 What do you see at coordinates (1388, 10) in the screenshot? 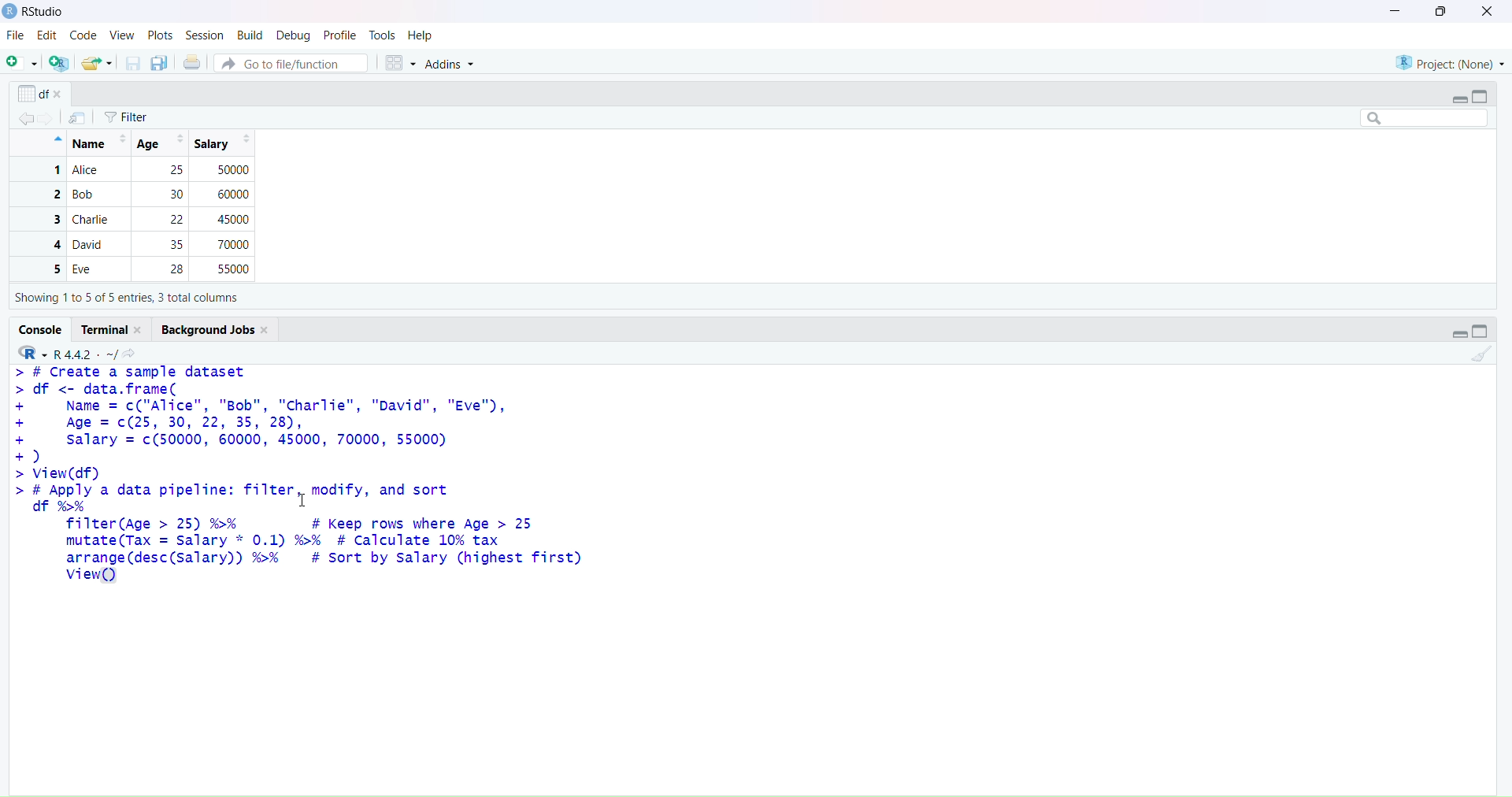
I see `minimize` at bounding box center [1388, 10].